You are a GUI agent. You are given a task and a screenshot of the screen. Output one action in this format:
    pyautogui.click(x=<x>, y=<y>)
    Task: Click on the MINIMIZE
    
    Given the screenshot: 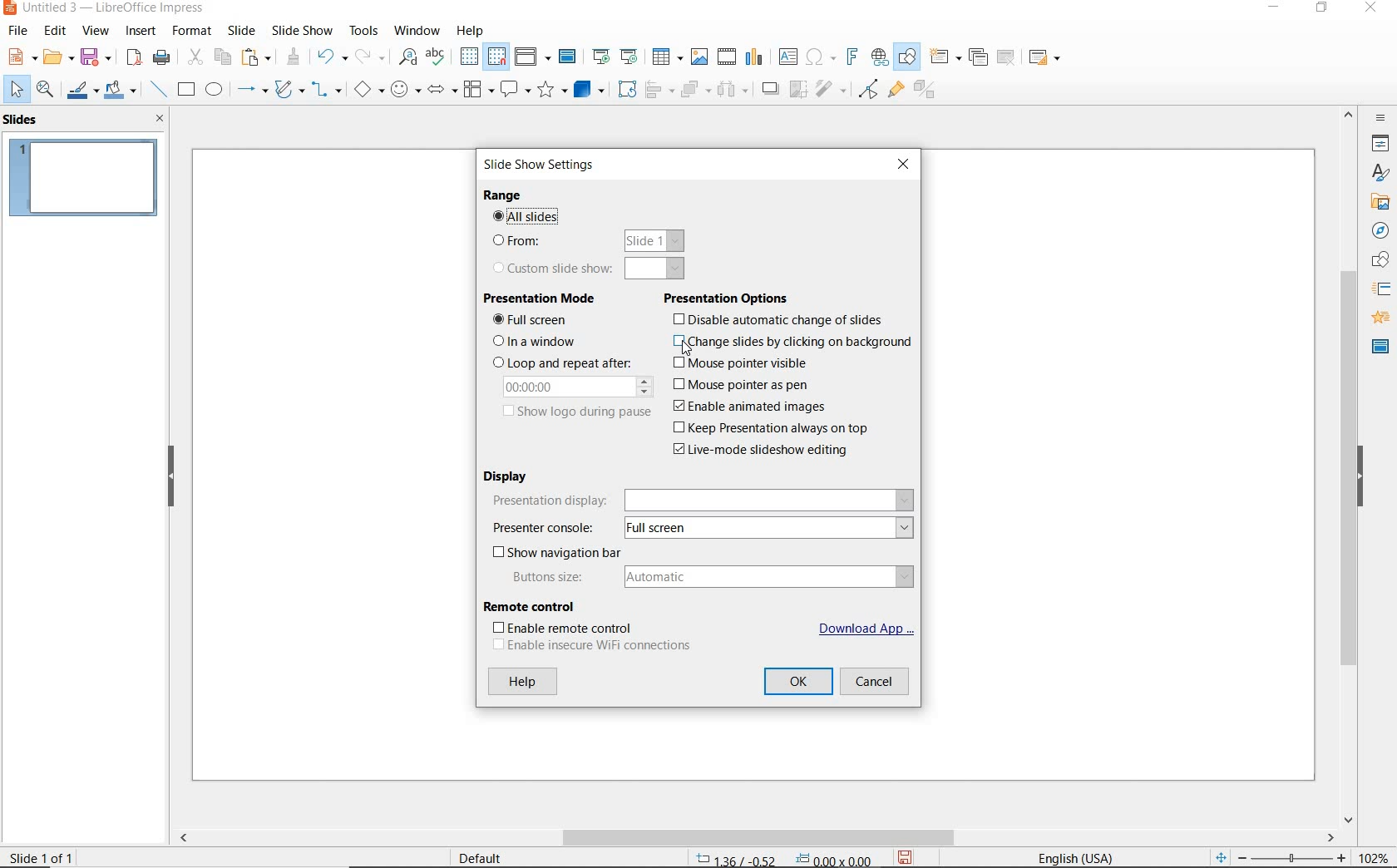 What is the action you would take?
    pyautogui.click(x=1276, y=8)
    